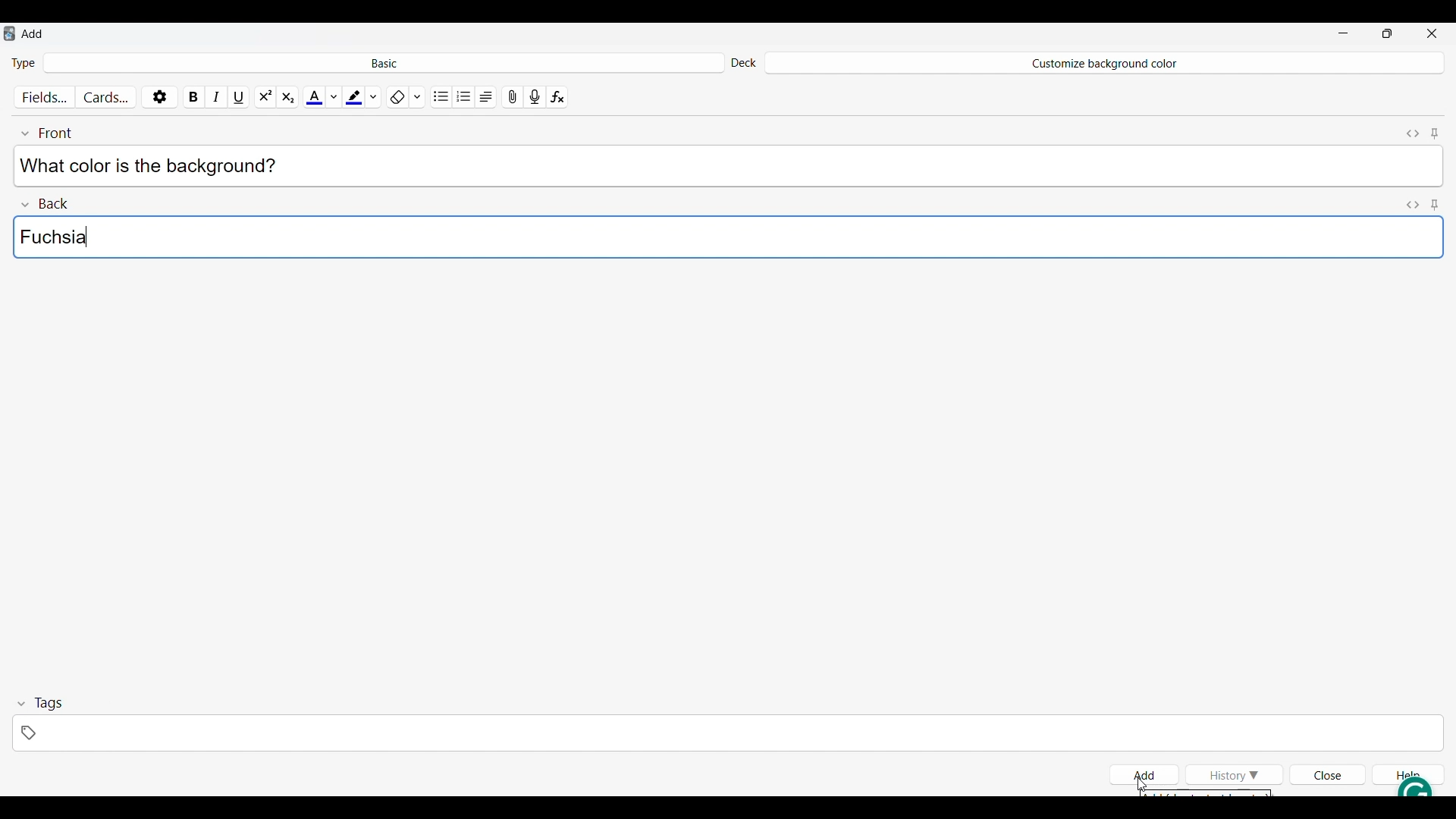 The height and width of the screenshot is (819, 1456). Describe the element at coordinates (159, 94) in the screenshot. I see `Options` at that location.